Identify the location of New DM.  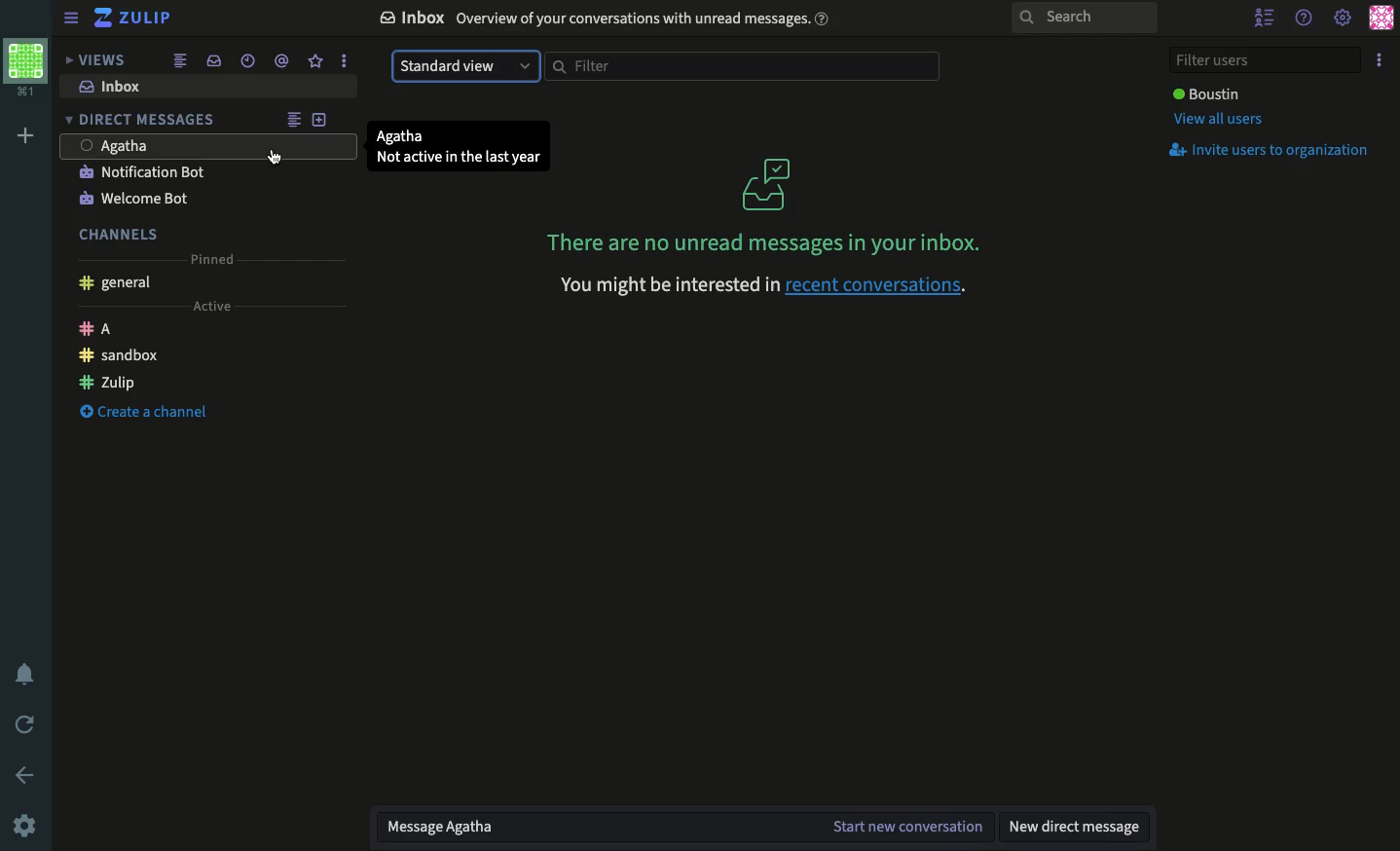
(322, 120).